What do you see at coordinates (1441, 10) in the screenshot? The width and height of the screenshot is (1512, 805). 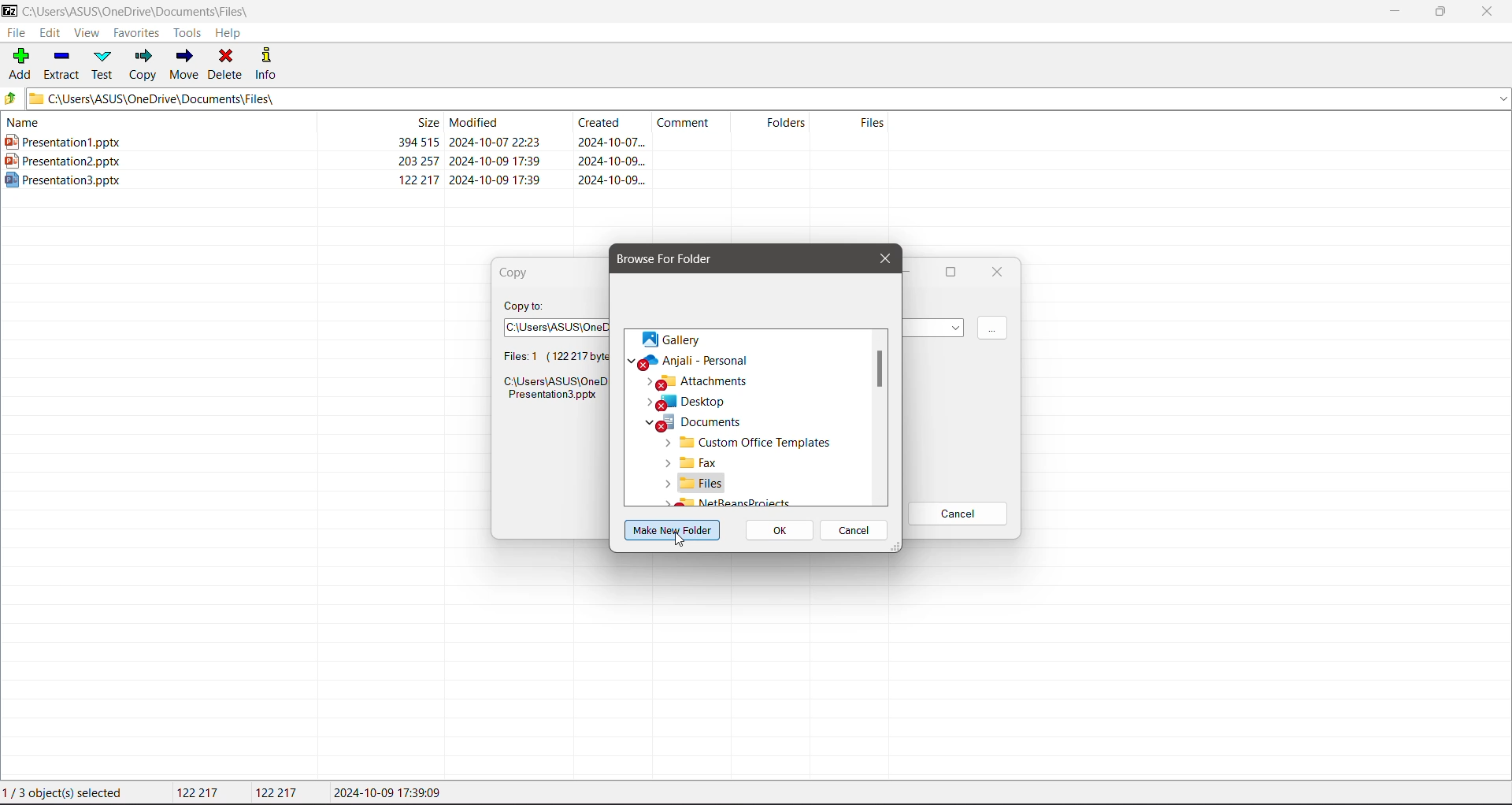 I see `Restore Down` at bounding box center [1441, 10].